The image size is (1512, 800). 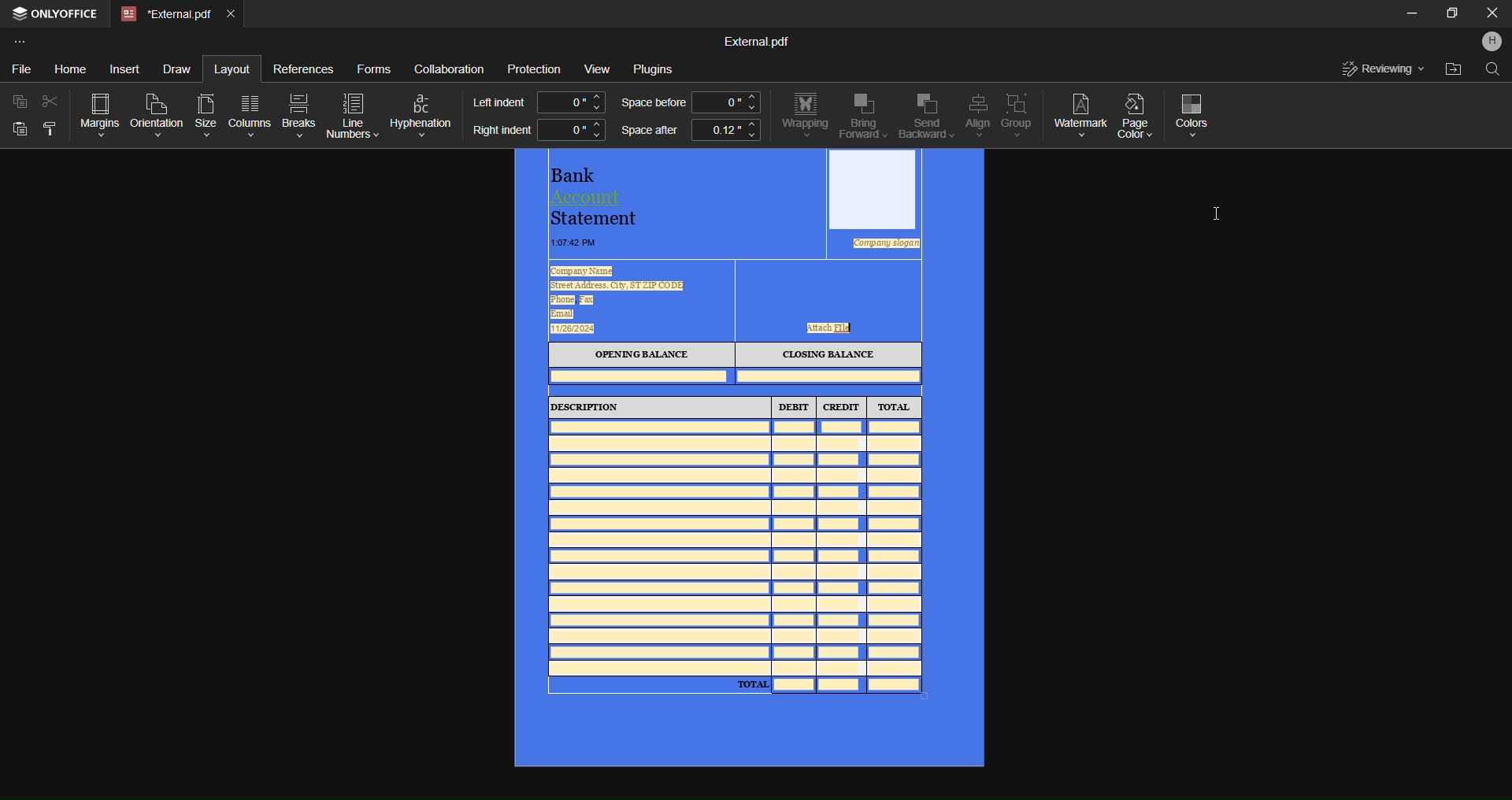 I want to click on OnlyOffice Application Tab, so click(x=58, y=16).